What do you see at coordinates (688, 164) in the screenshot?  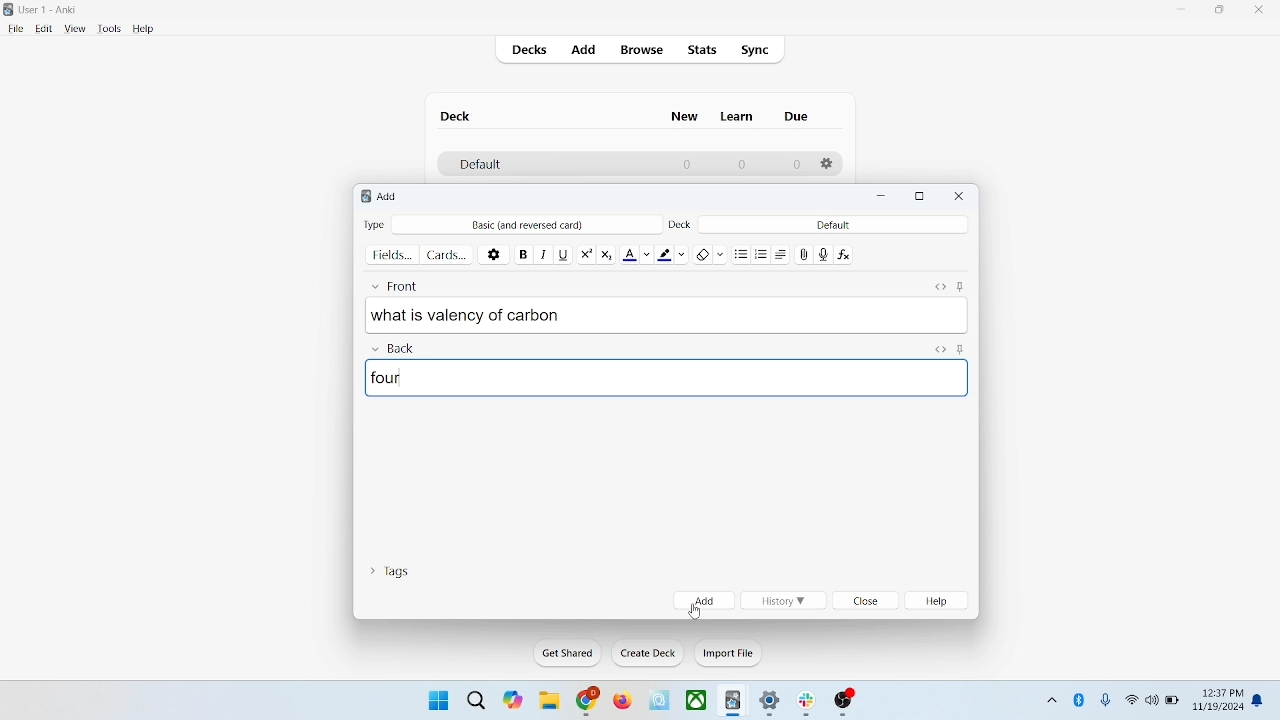 I see `0` at bounding box center [688, 164].